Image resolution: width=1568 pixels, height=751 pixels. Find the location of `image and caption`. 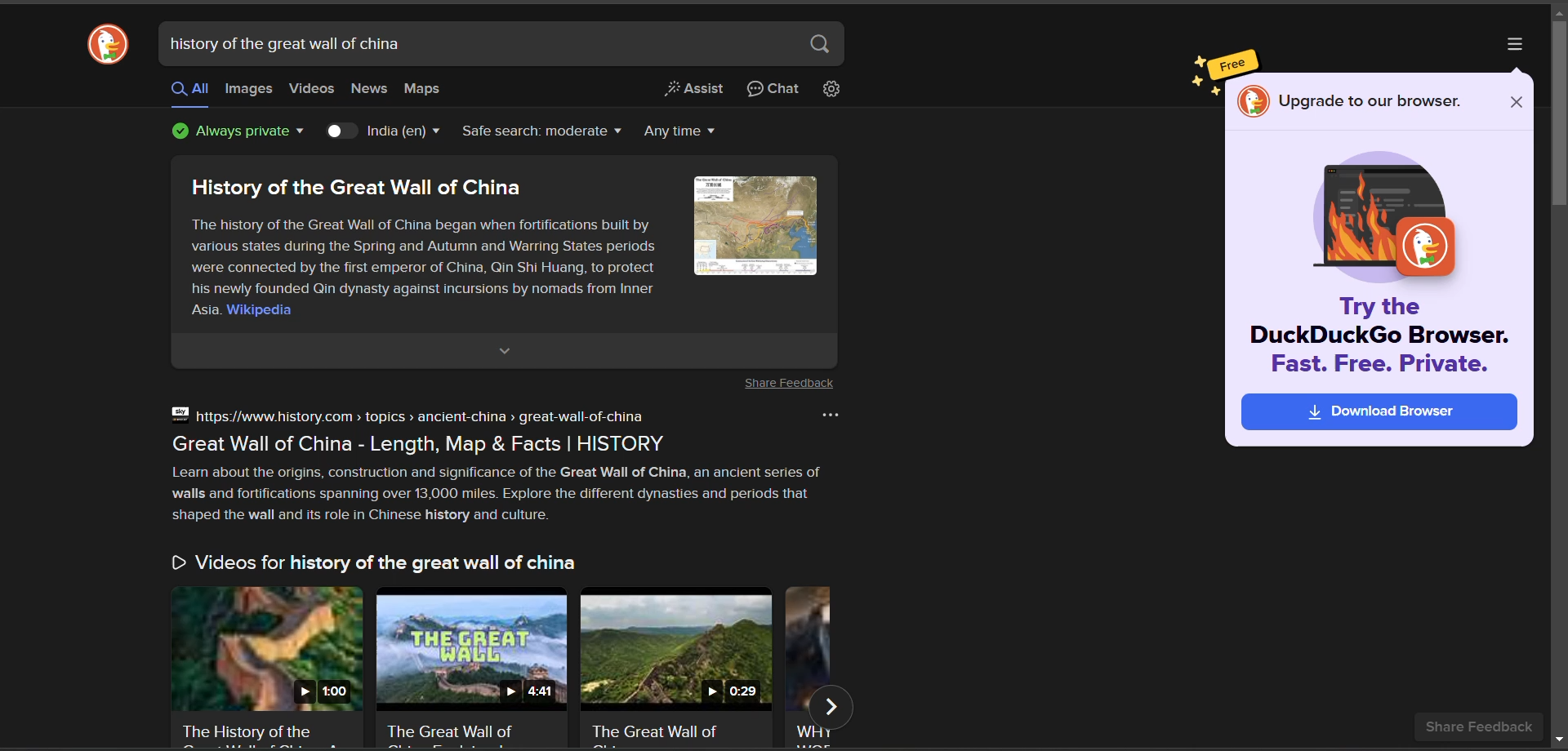

image and caption is located at coordinates (1377, 260).